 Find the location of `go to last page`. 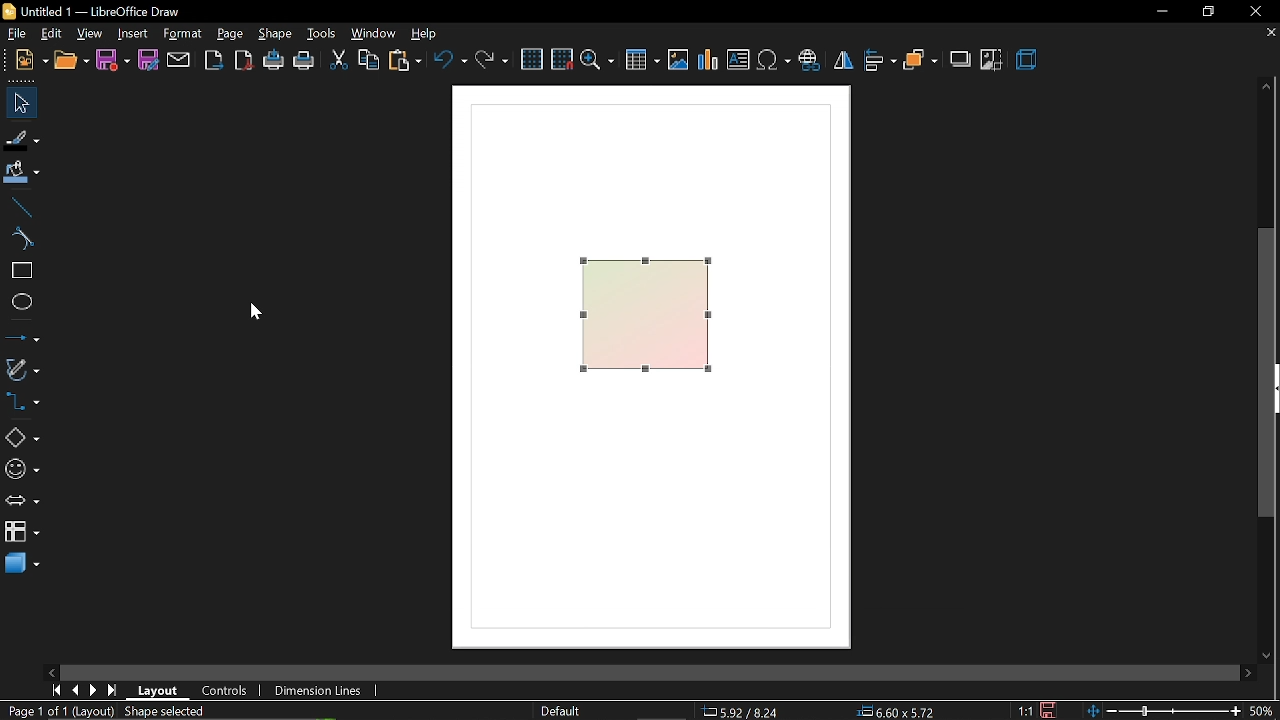

go to last page is located at coordinates (112, 691).